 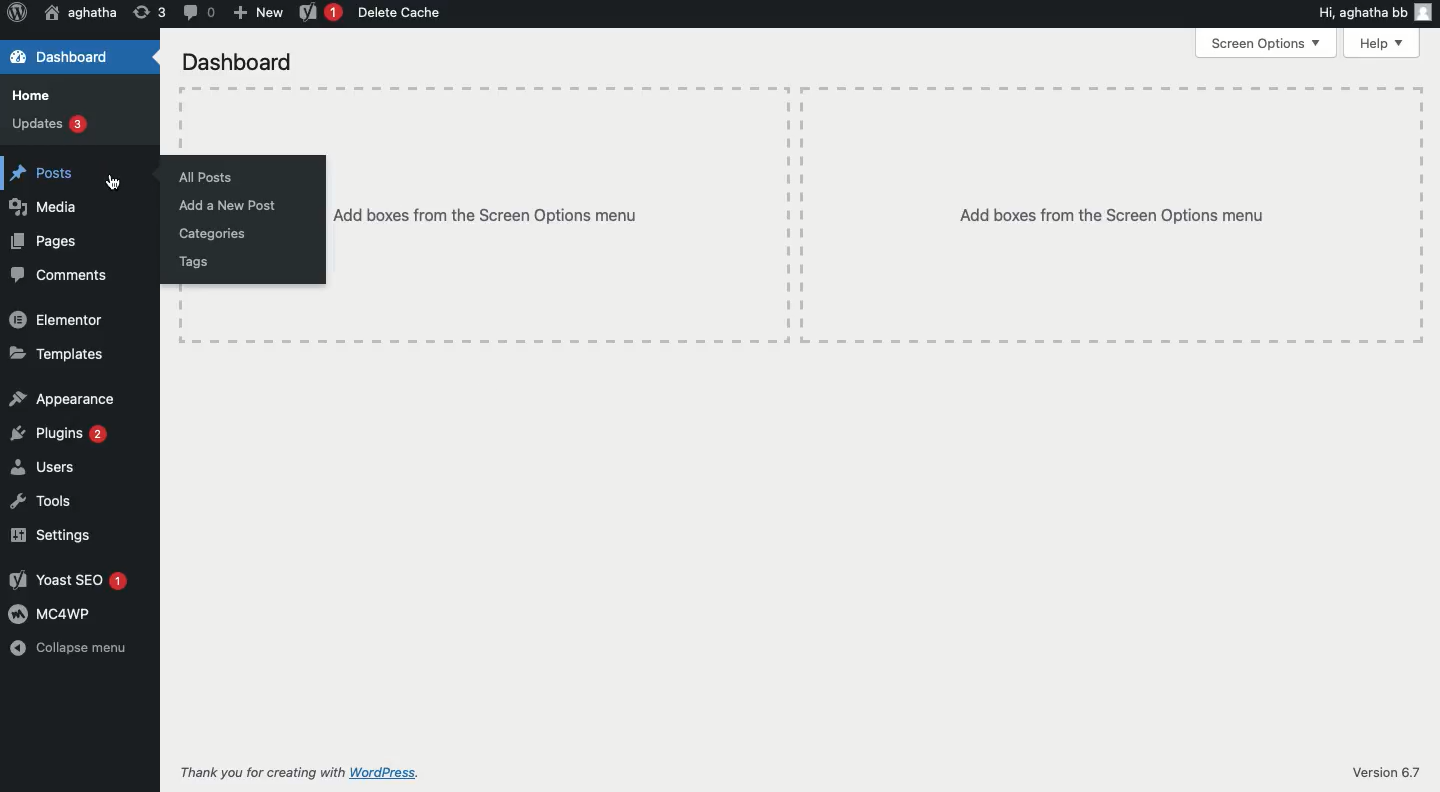 I want to click on Appearance, so click(x=62, y=398).